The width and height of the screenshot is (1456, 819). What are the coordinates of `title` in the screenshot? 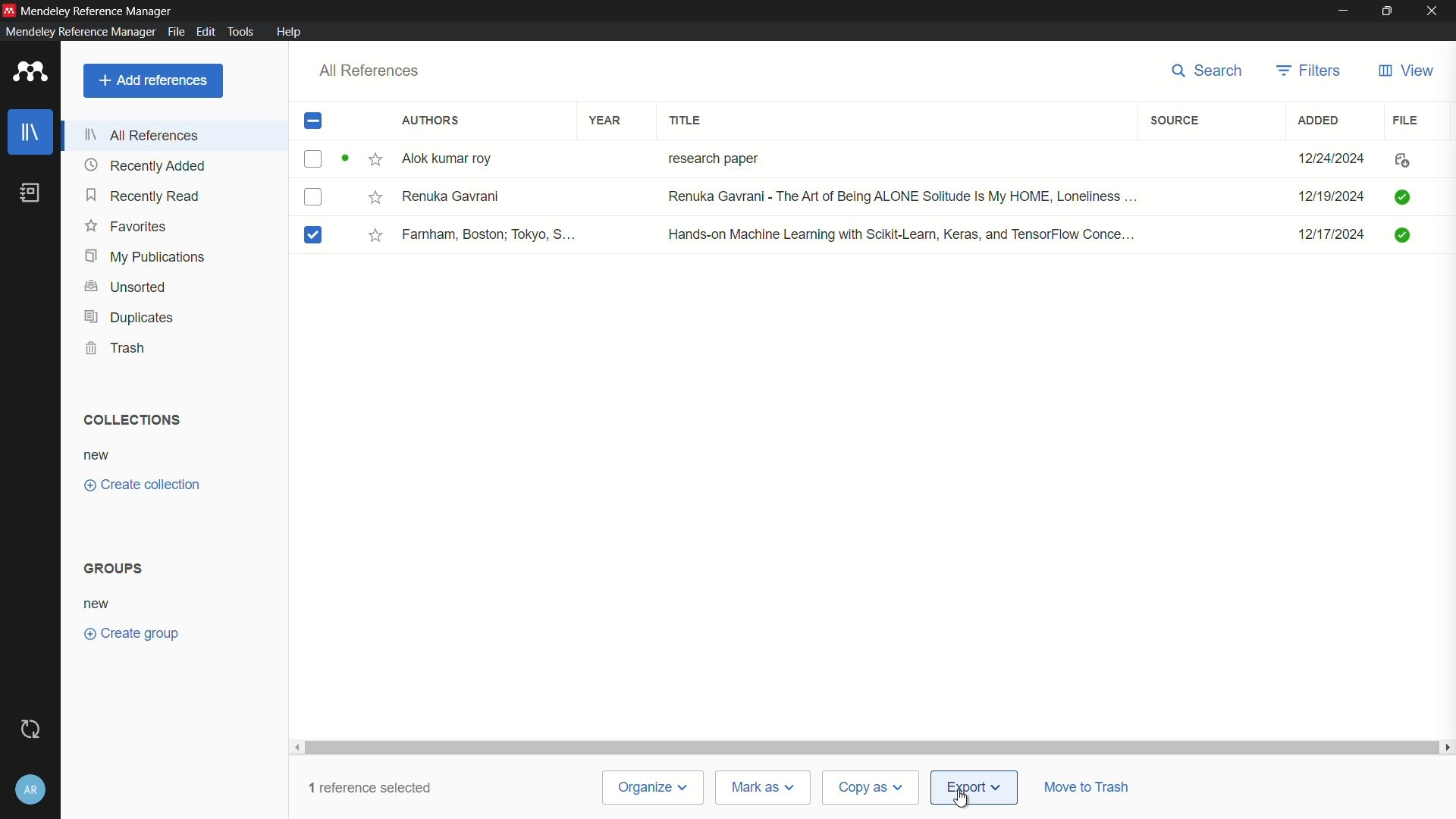 It's located at (689, 121).